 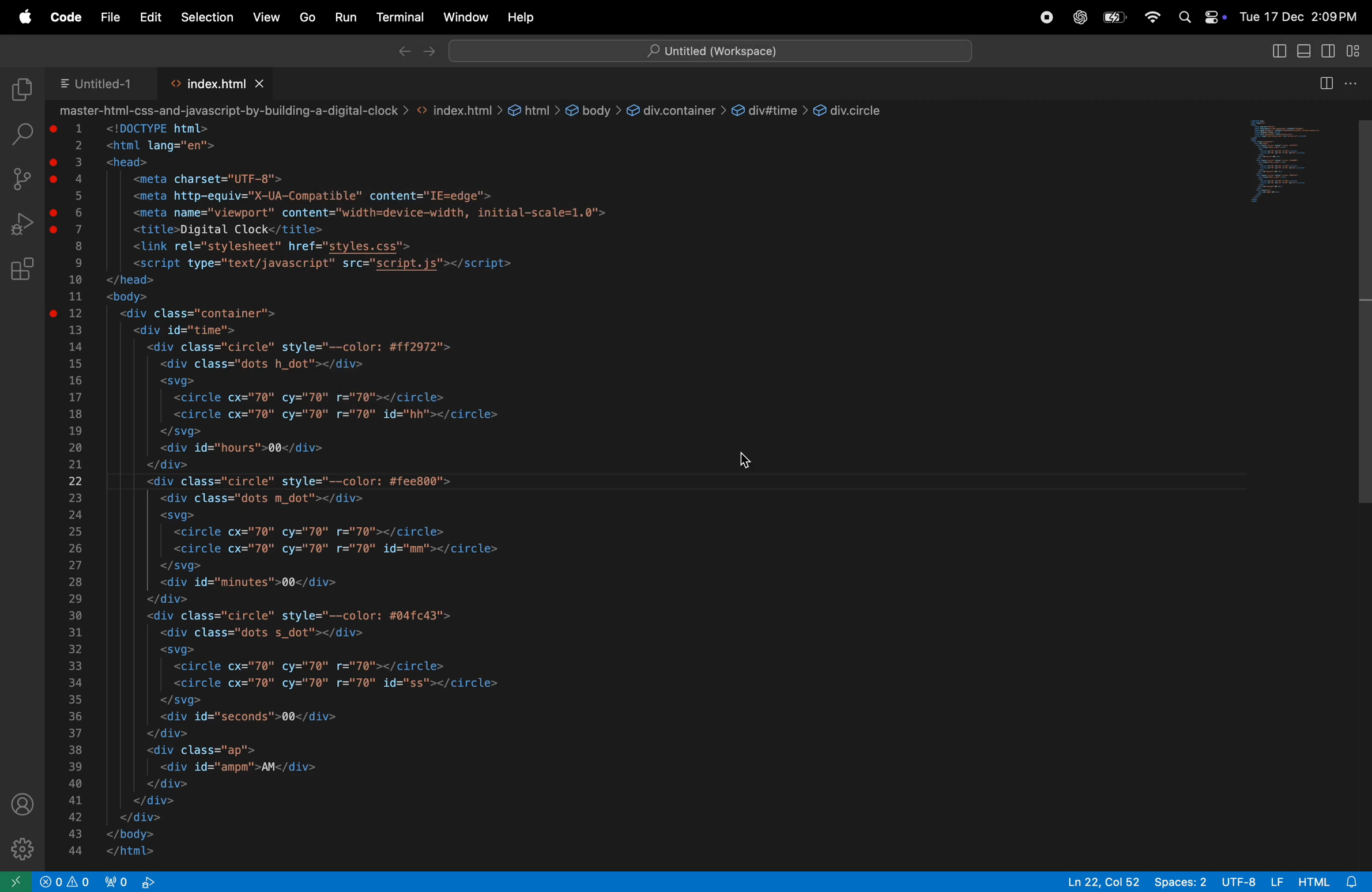 What do you see at coordinates (474, 111) in the screenshot?
I see `-html-css-and-javascript-by-building-a-digital-clock > <> index.html > € html > @ body > © div.container > @ div#time > @ div.circle` at bounding box center [474, 111].